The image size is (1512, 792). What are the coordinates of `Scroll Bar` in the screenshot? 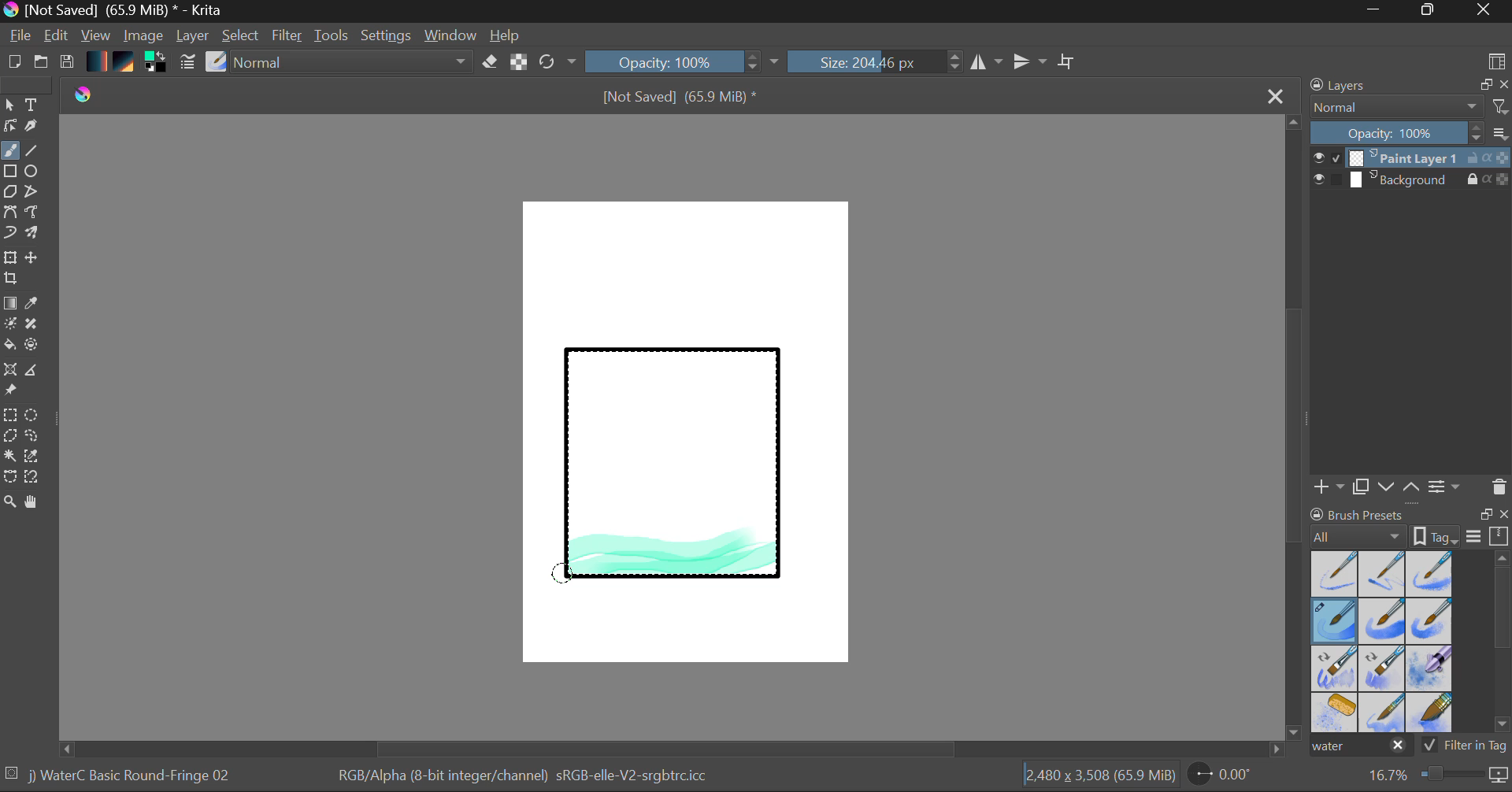 It's located at (1503, 645).